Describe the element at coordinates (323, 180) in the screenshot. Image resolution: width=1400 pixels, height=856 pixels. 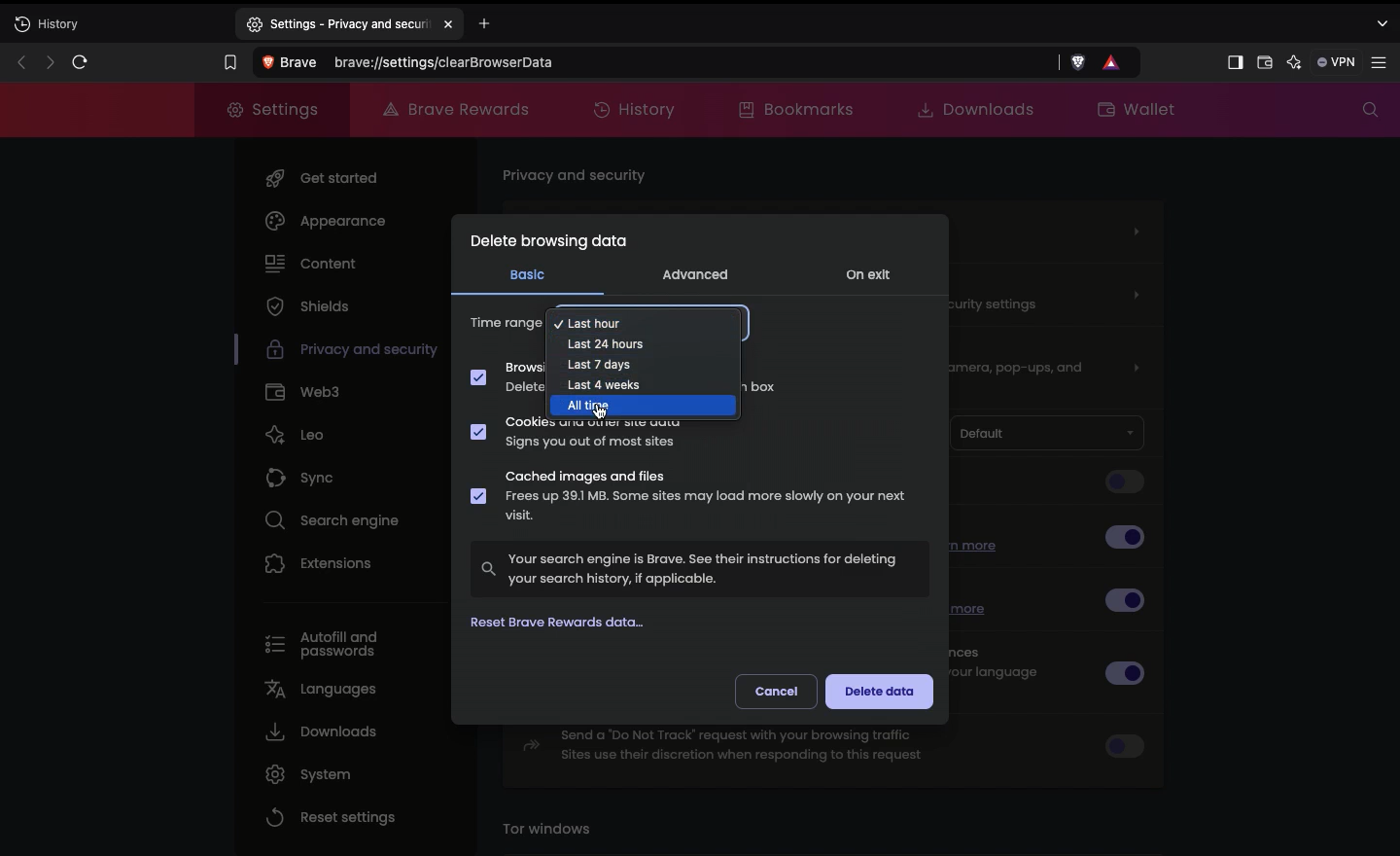
I see `Get started` at that location.